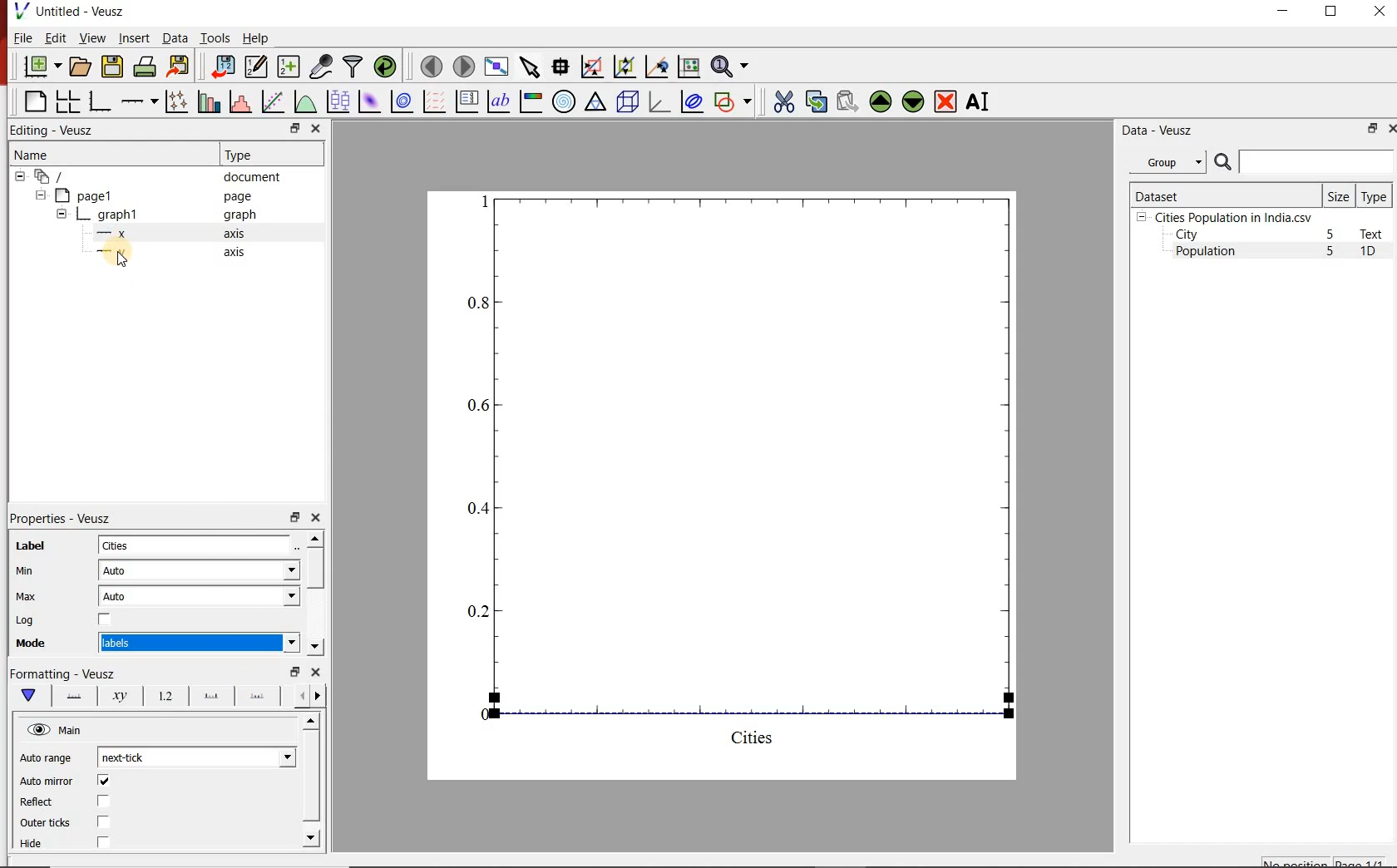 The image size is (1397, 868). What do you see at coordinates (496, 67) in the screenshot?
I see `view plot full screen` at bounding box center [496, 67].